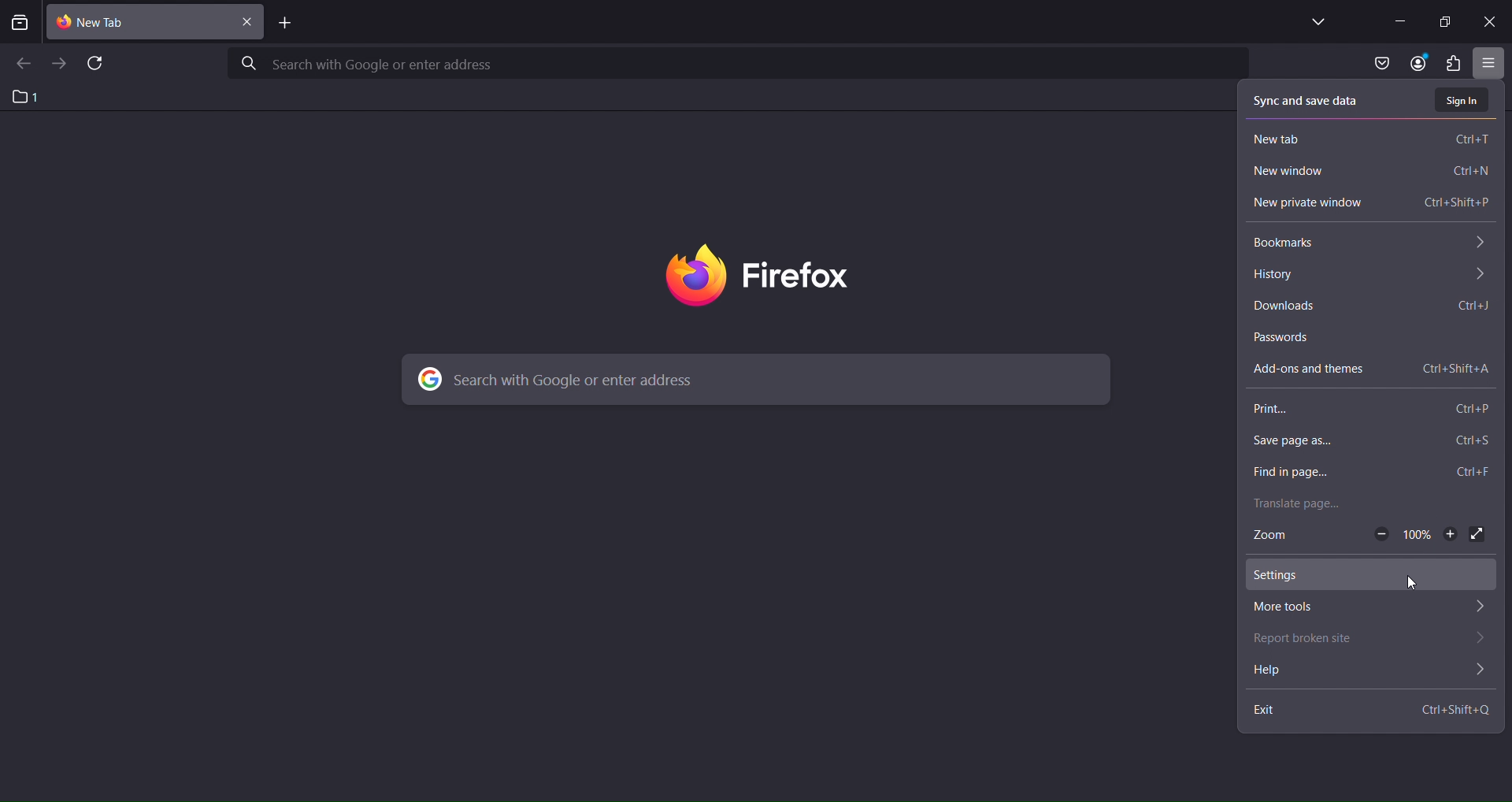  Describe the element at coordinates (1494, 21) in the screenshot. I see `close` at that location.